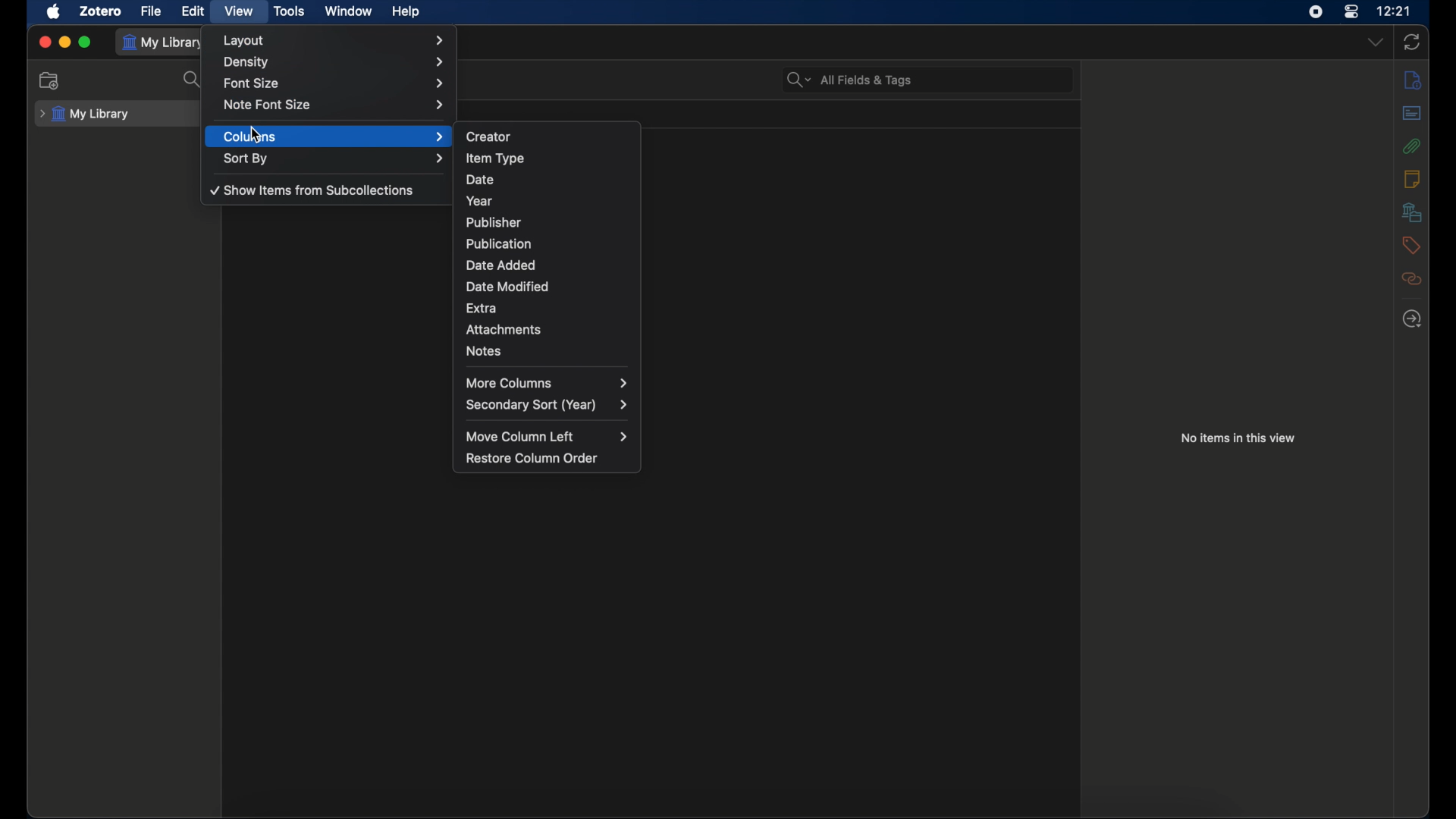  Describe the element at coordinates (349, 11) in the screenshot. I see `window` at that location.